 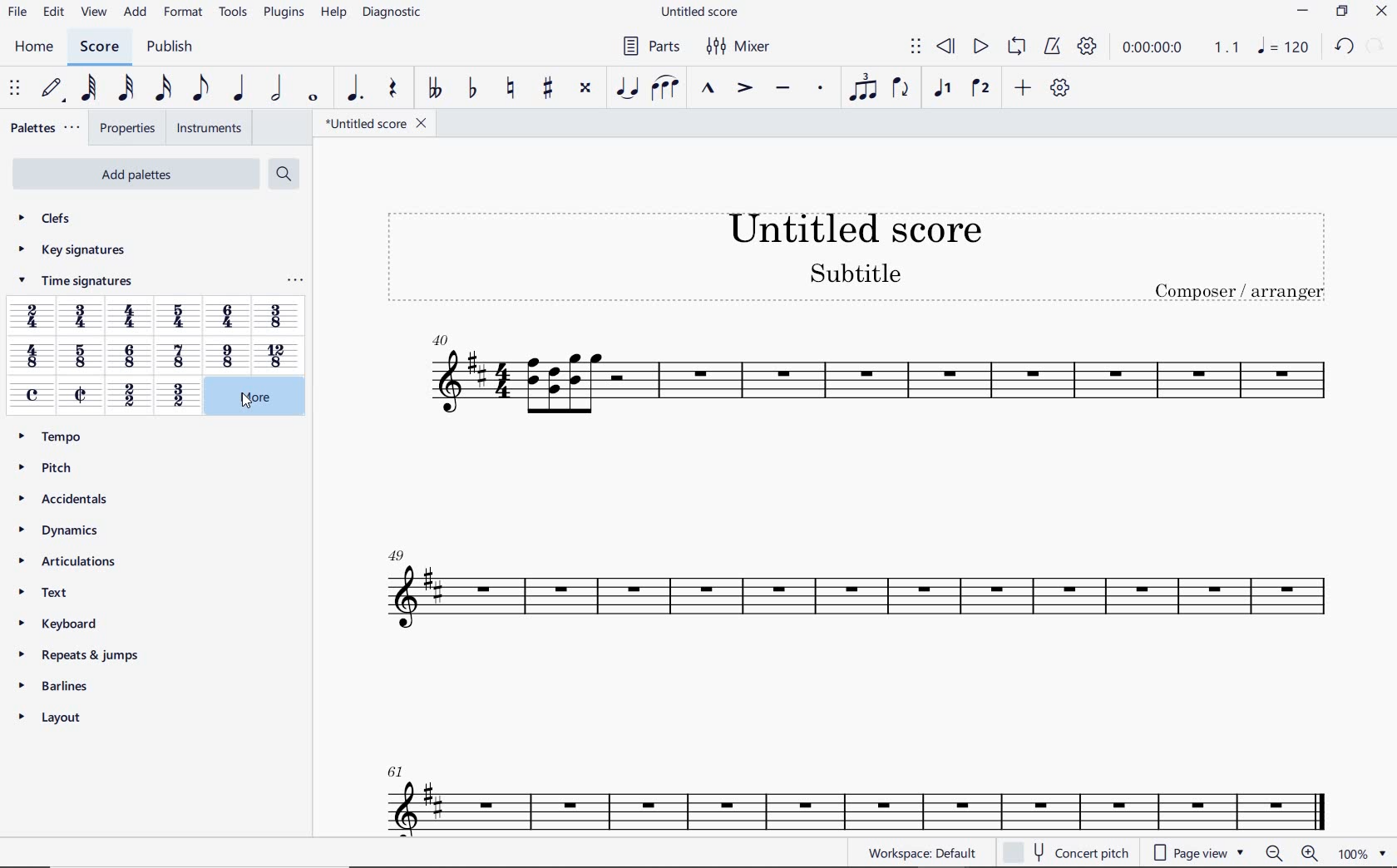 What do you see at coordinates (82, 318) in the screenshot?
I see `3/4` at bounding box center [82, 318].